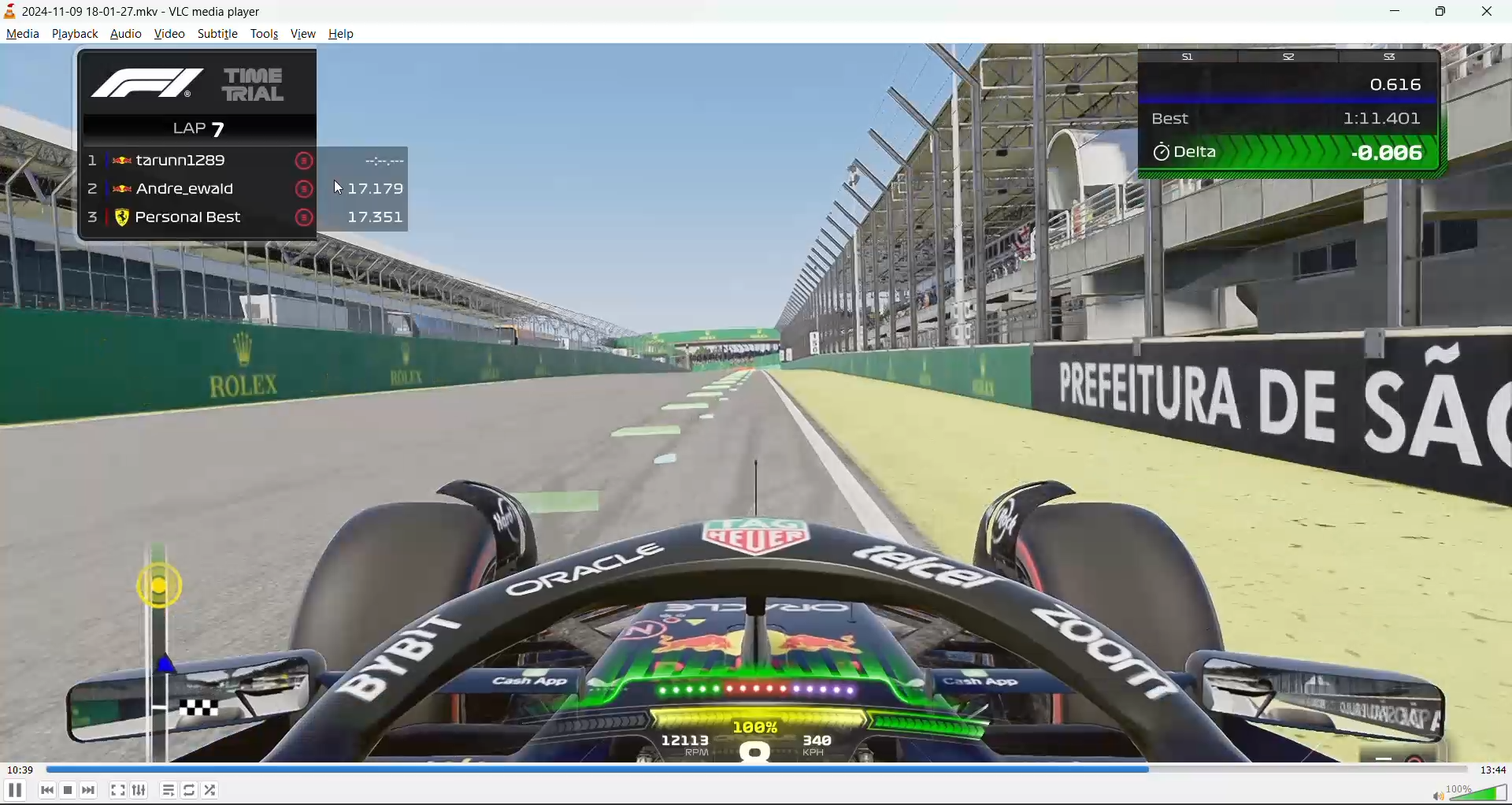 The image size is (1512, 805). I want to click on view, so click(302, 33).